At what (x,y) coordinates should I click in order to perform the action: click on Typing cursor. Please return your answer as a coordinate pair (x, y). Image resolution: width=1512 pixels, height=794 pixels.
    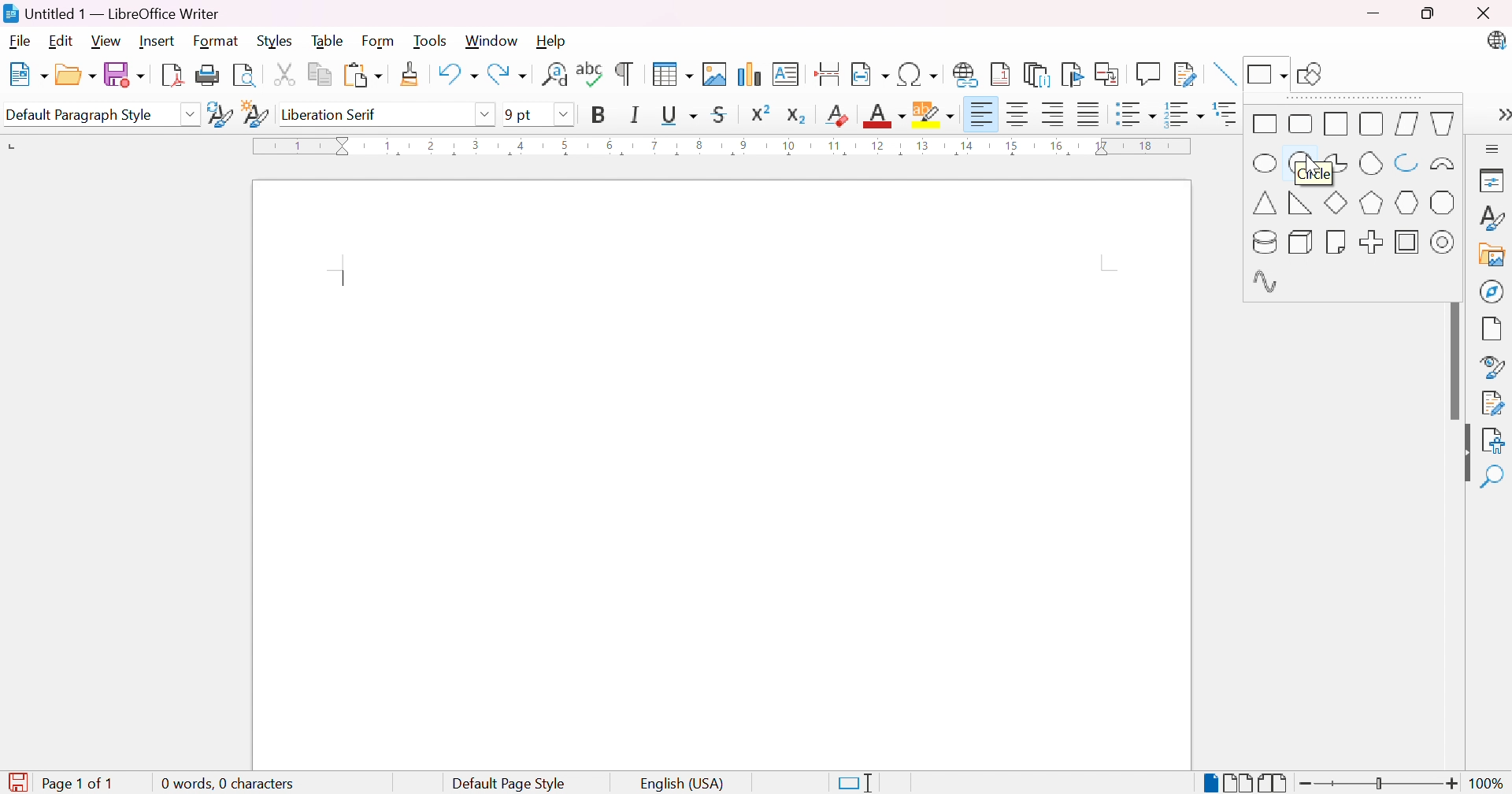
    Looking at the image, I should click on (343, 280).